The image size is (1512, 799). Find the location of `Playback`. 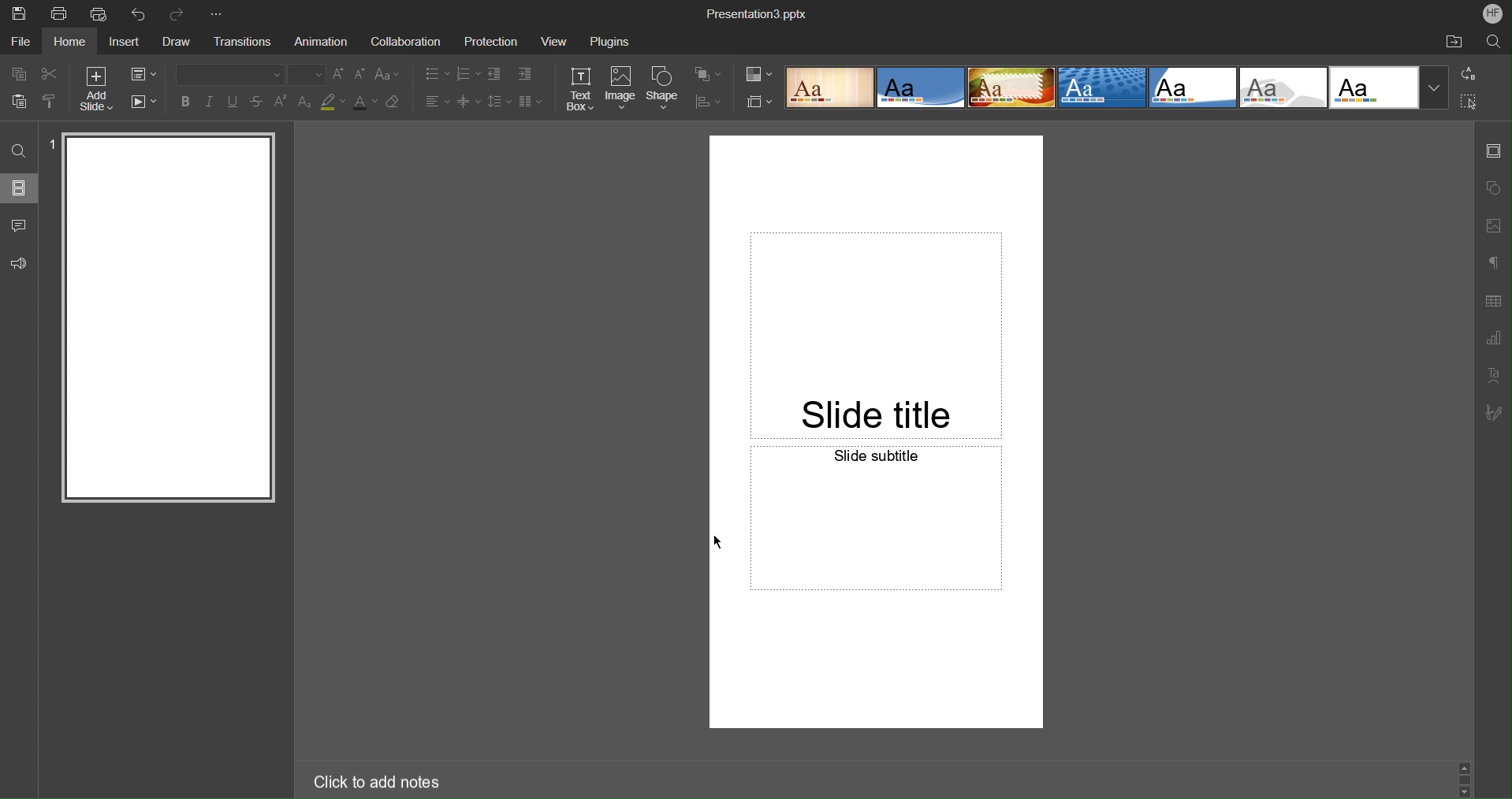

Playback is located at coordinates (145, 102).